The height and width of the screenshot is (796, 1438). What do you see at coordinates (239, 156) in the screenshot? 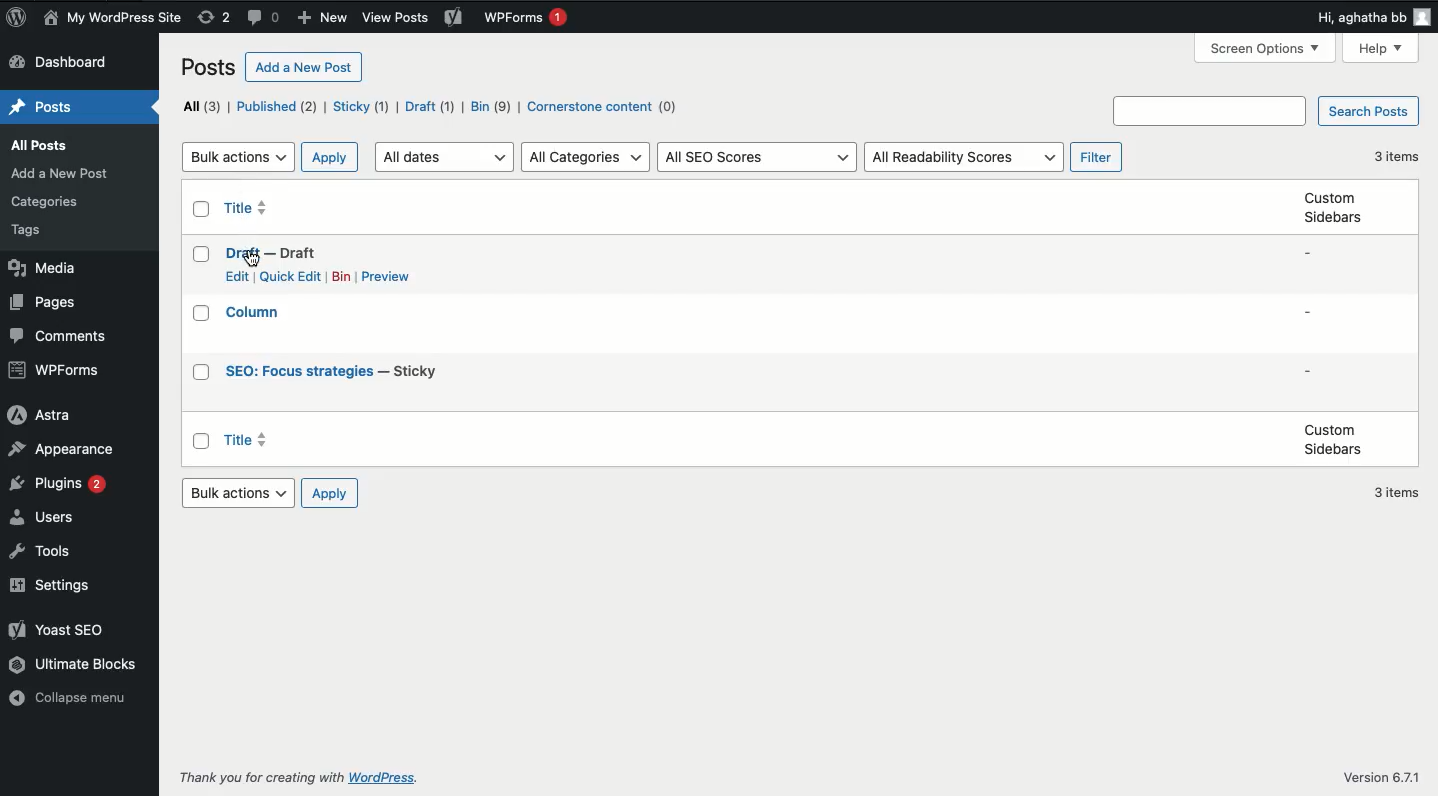
I see `Bulk actions` at bounding box center [239, 156].